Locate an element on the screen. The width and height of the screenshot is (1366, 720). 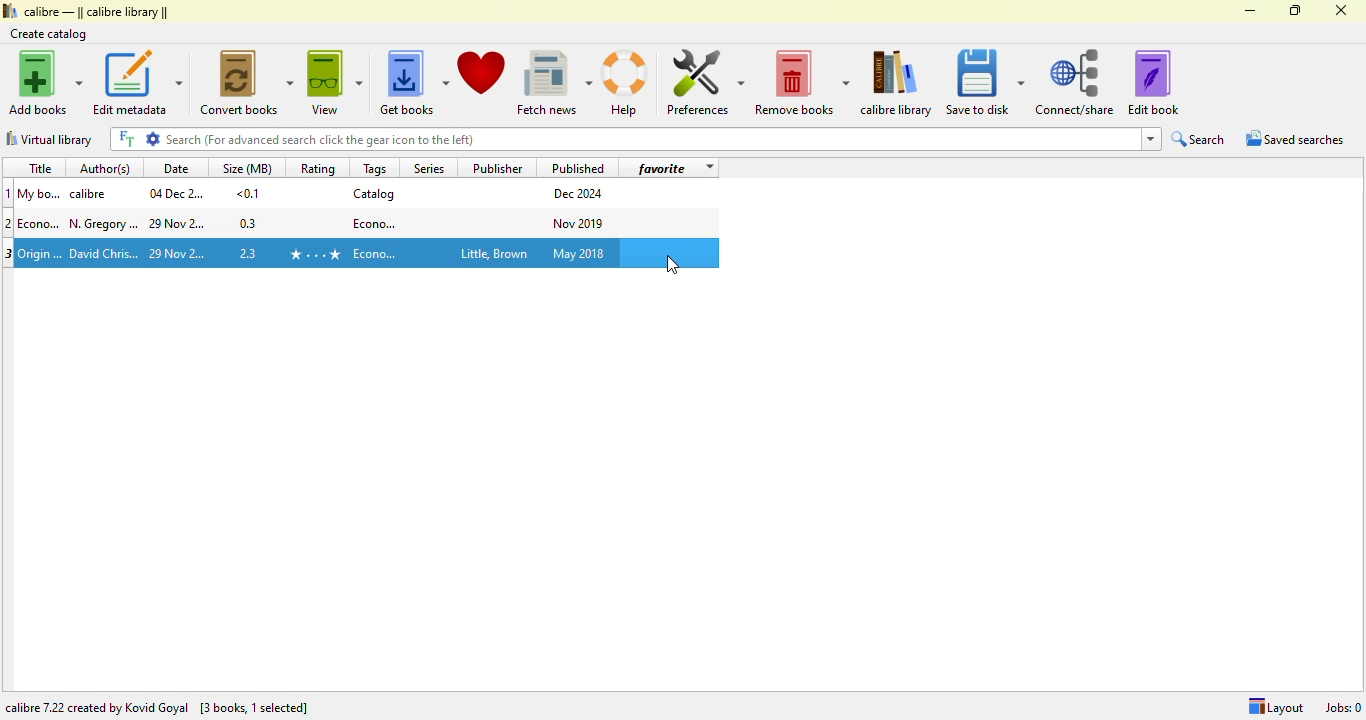
publish date is located at coordinates (580, 253).